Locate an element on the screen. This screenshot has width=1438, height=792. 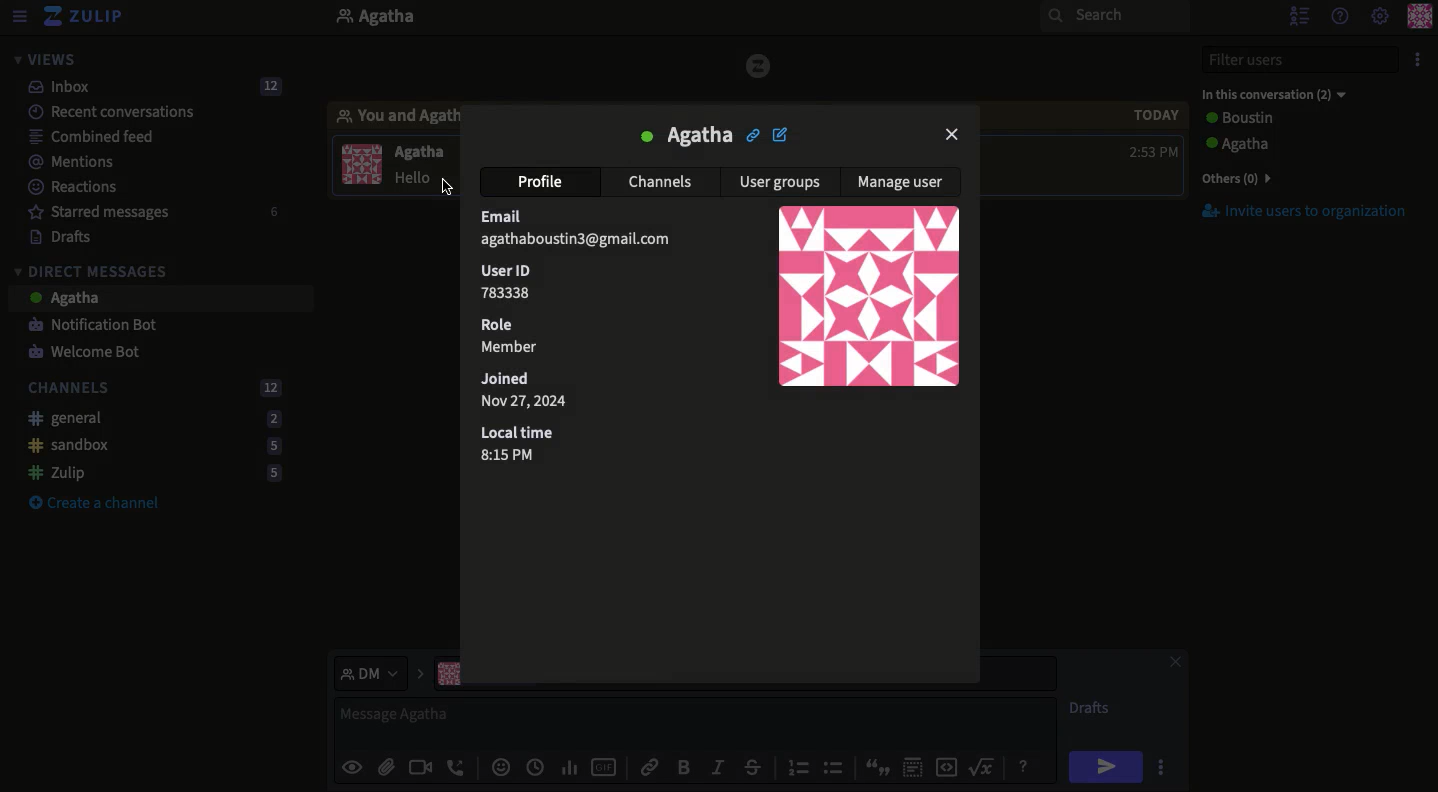
Mentions is located at coordinates (77, 163).